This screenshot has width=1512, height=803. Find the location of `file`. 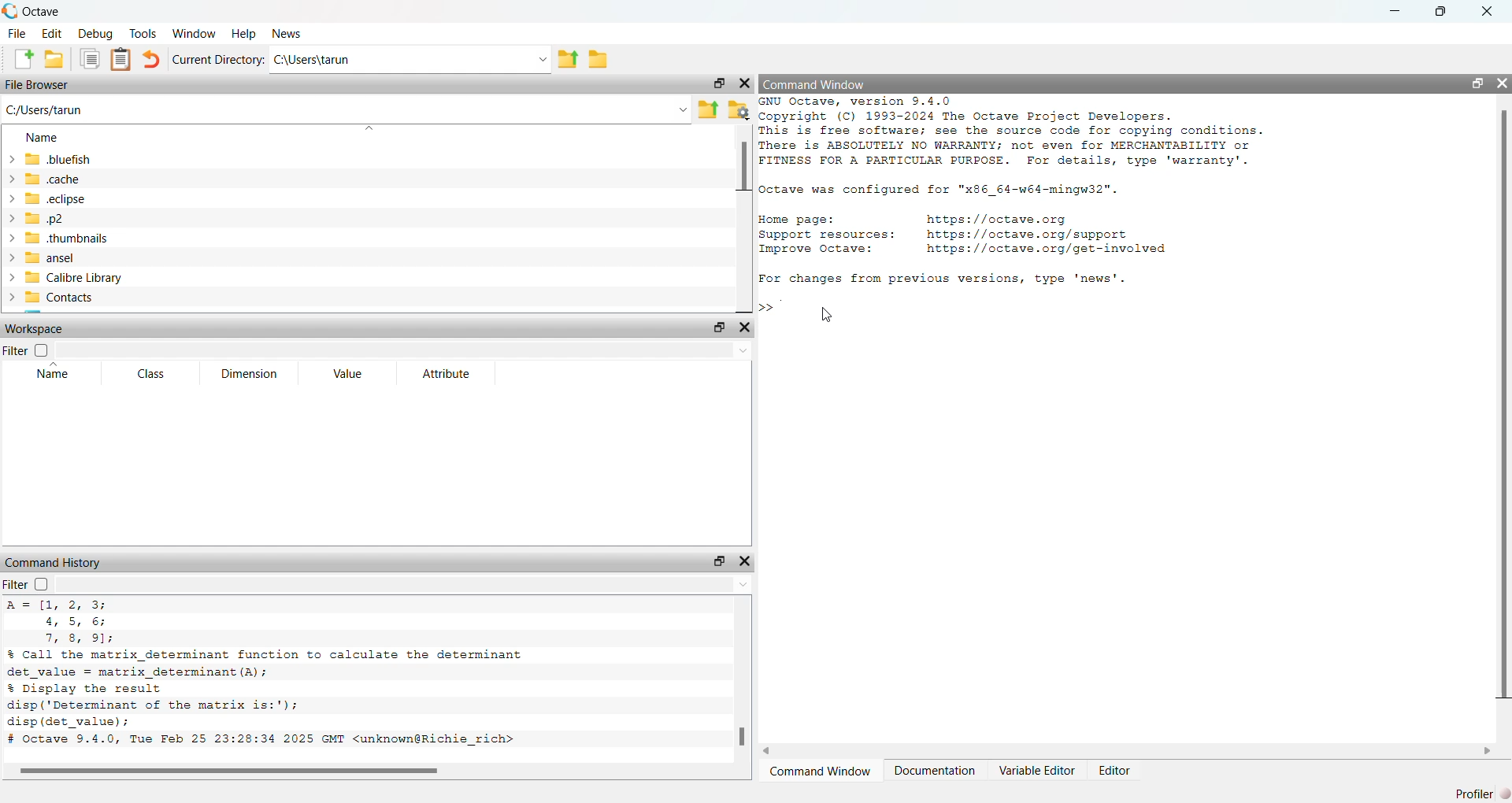

file is located at coordinates (17, 34).